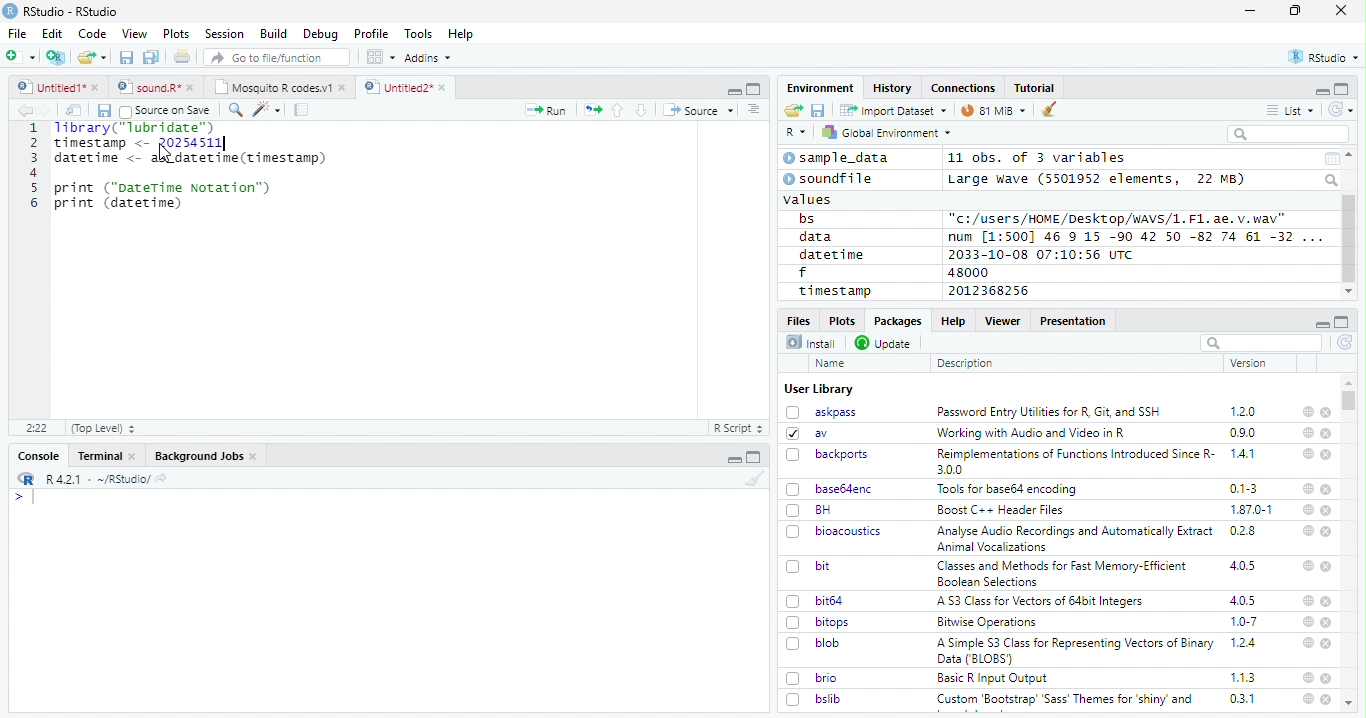 The height and width of the screenshot is (718, 1366). Describe the element at coordinates (1245, 642) in the screenshot. I see `1.2.4` at that location.